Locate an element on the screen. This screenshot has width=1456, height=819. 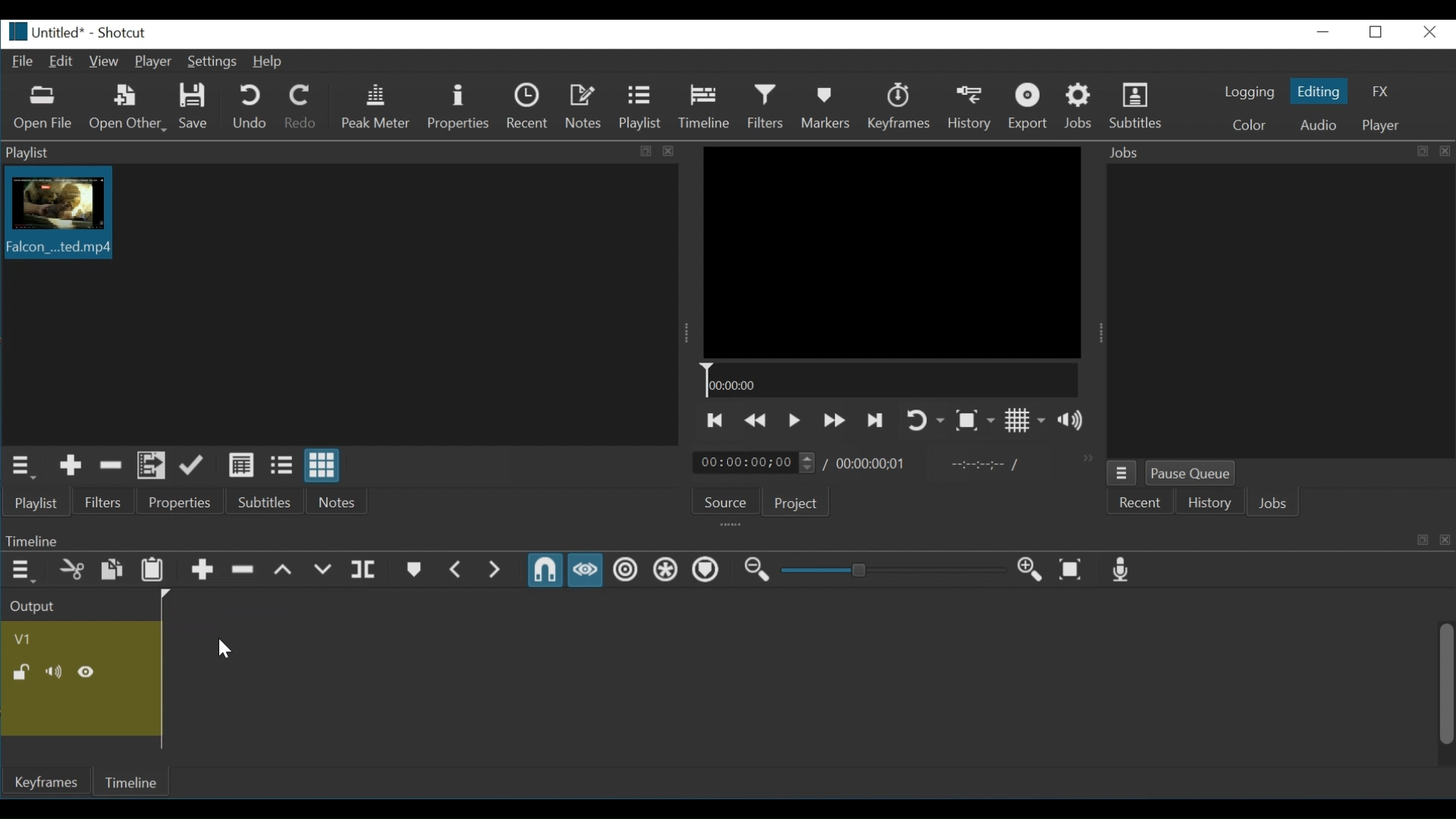
Restore is located at coordinates (1377, 32).